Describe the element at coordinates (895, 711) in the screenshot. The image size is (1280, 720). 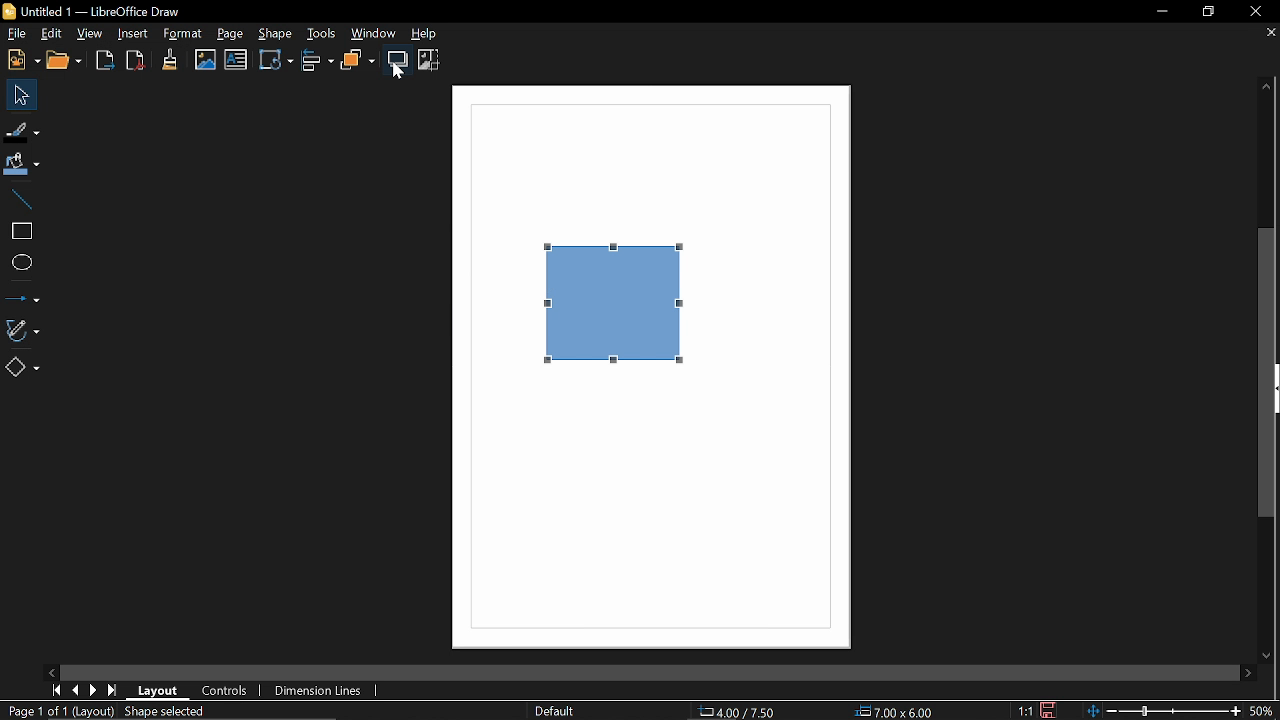
I see `Size` at that location.